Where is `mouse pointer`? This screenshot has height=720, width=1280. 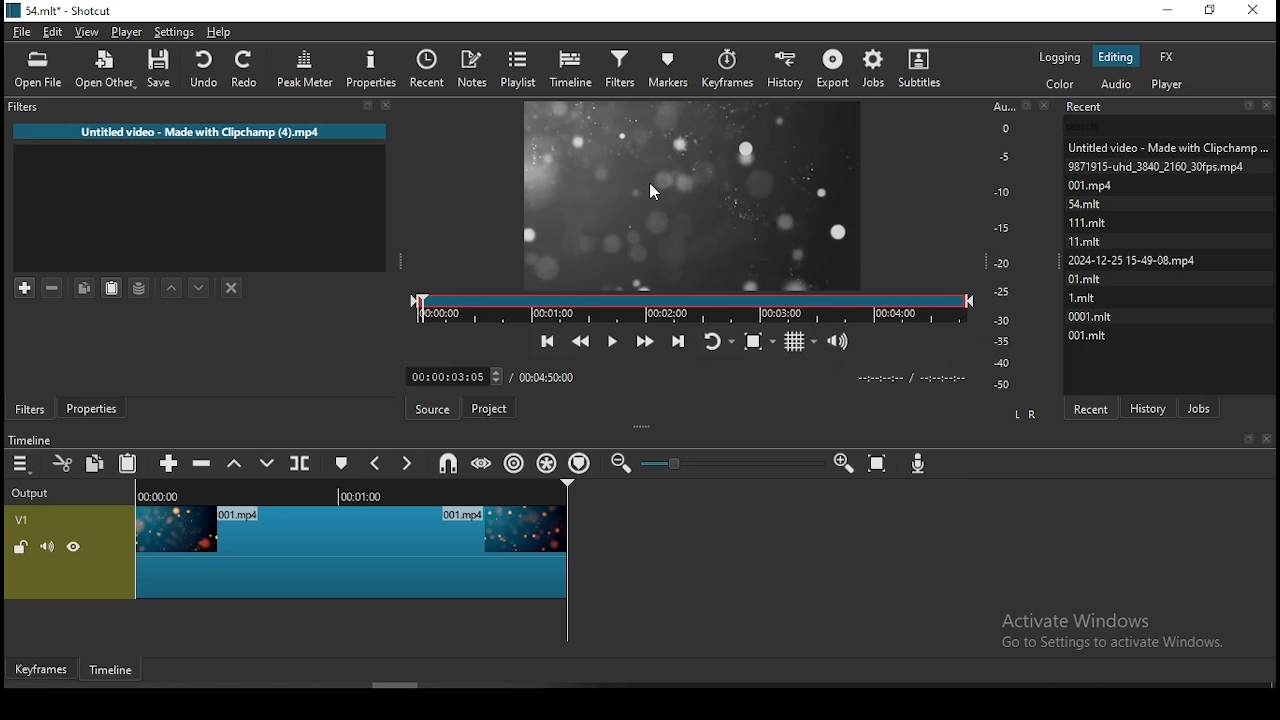 mouse pointer is located at coordinates (658, 192).